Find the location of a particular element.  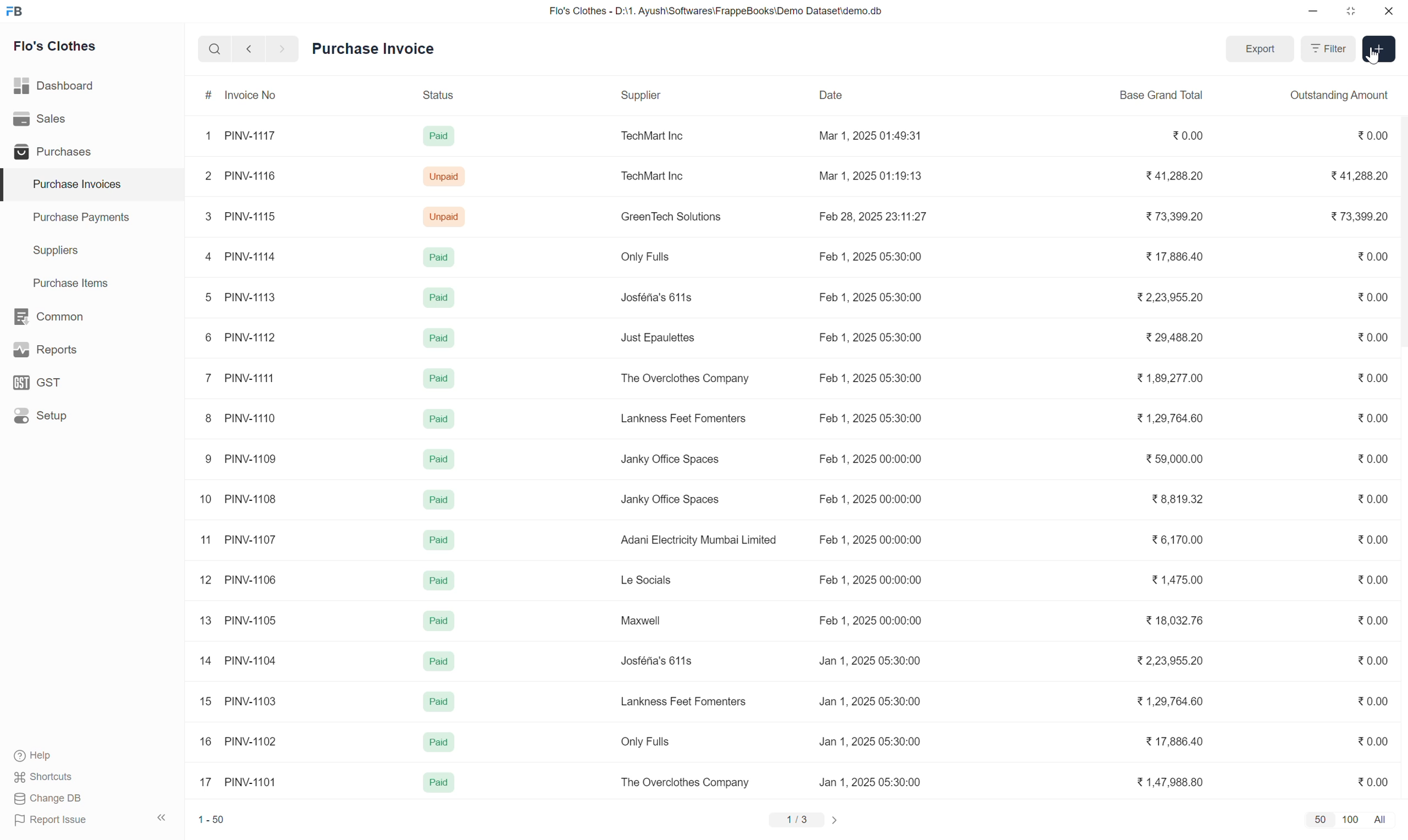

0.00 is located at coordinates (1372, 782).